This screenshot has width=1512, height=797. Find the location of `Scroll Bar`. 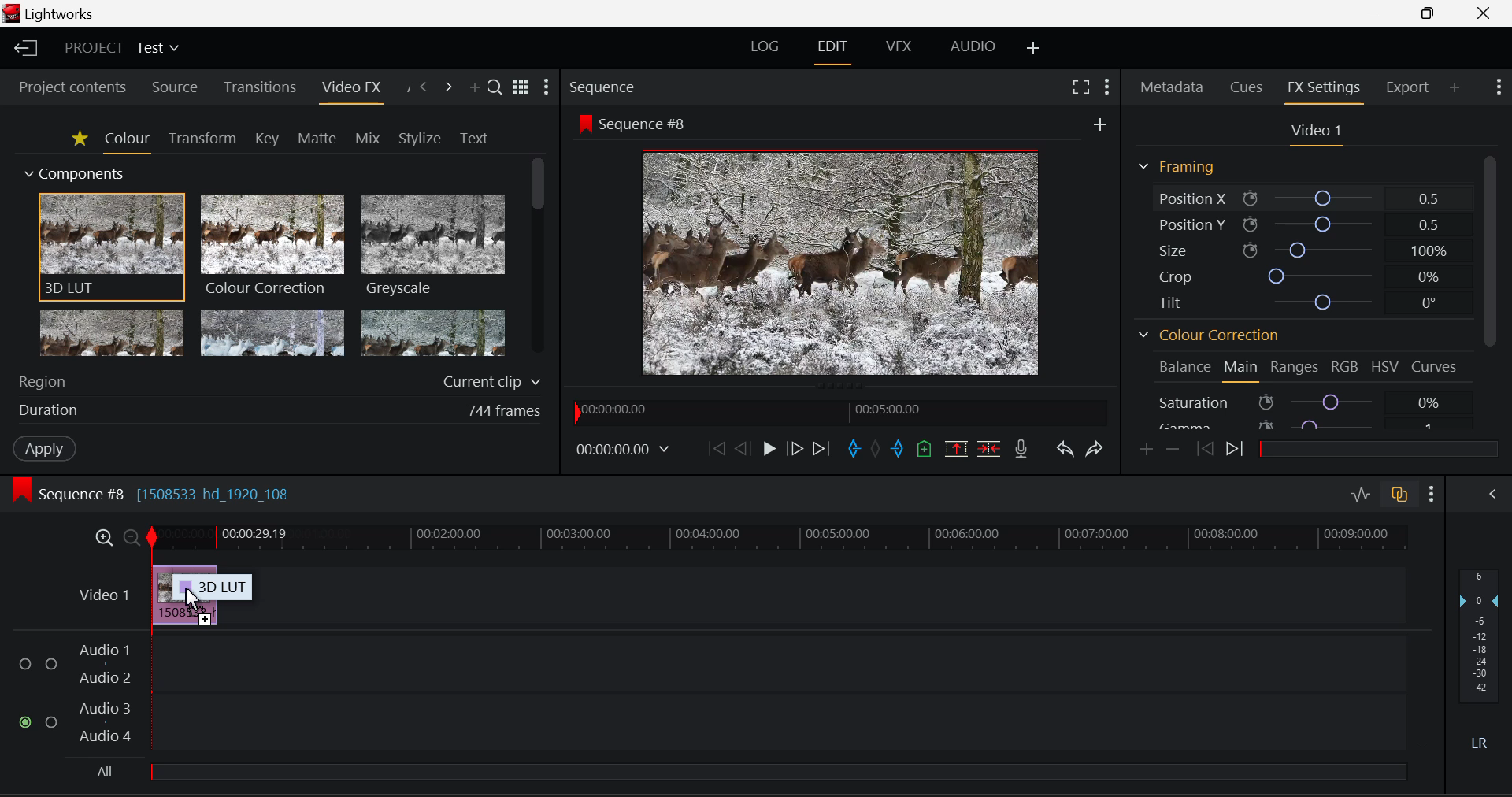

Scroll Bar is located at coordinates (1492, 289).